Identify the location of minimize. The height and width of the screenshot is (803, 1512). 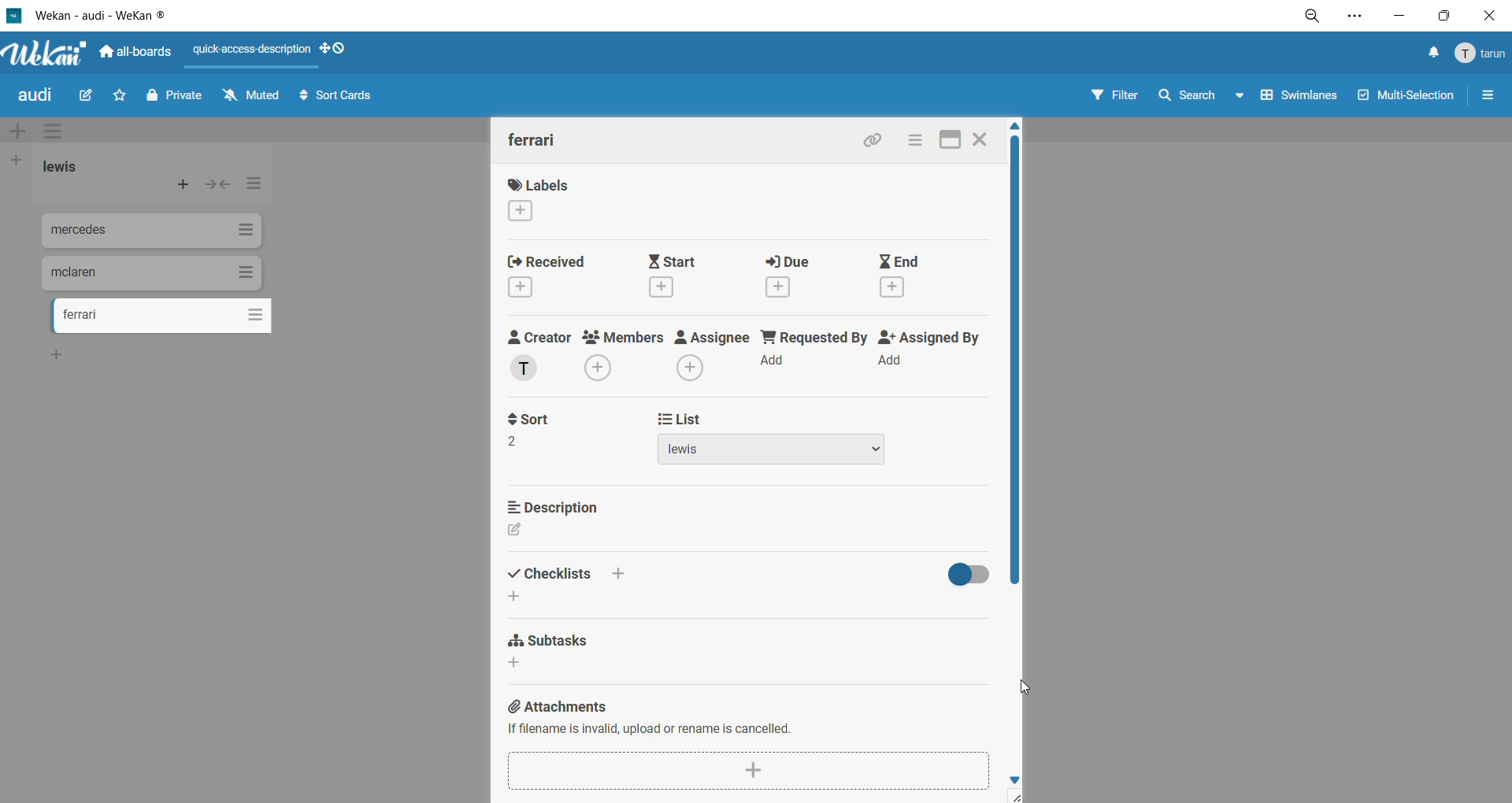
(1398, 17).